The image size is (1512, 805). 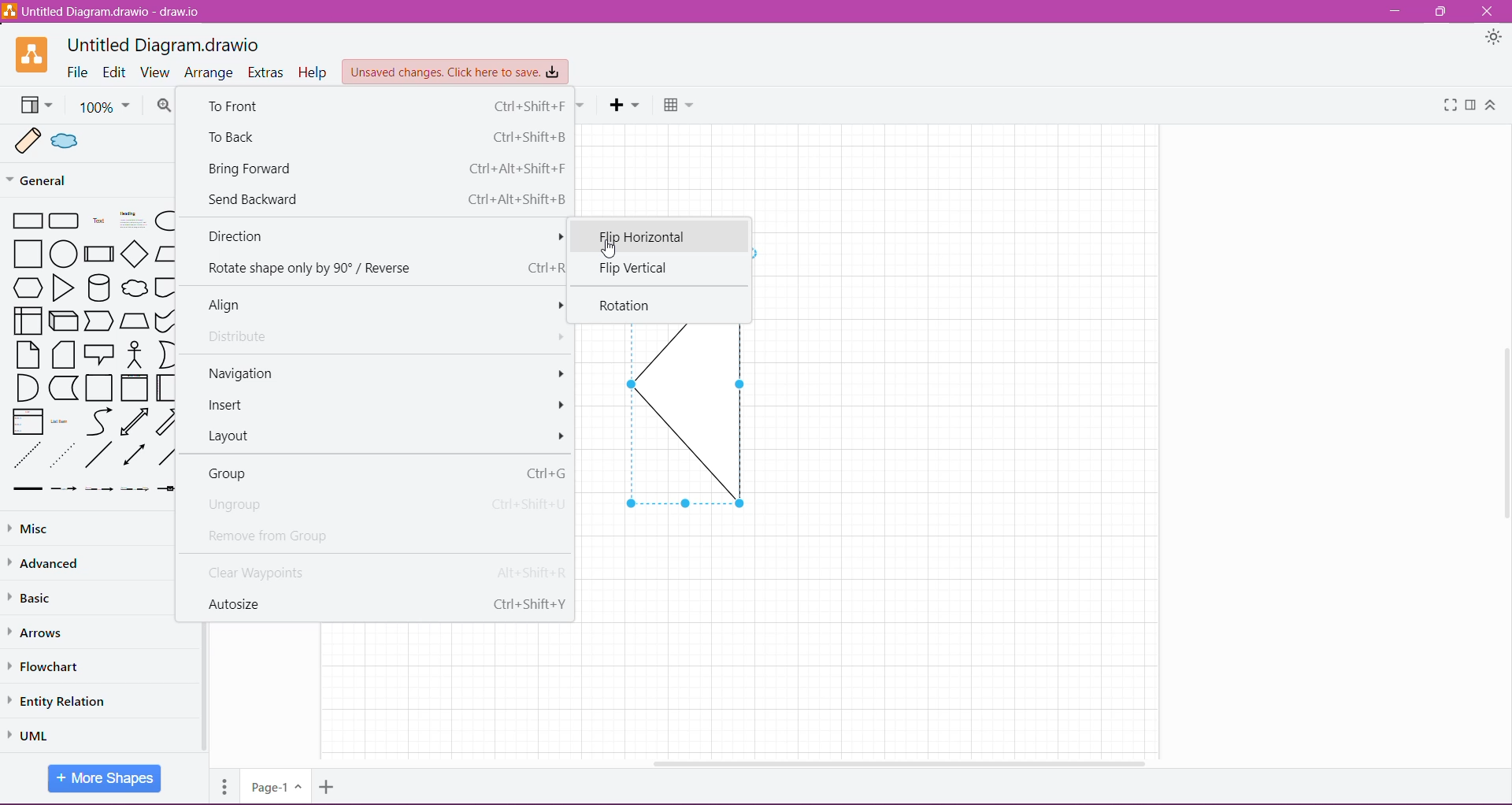 I want to click on Navigation, so click(x=385, y=374).